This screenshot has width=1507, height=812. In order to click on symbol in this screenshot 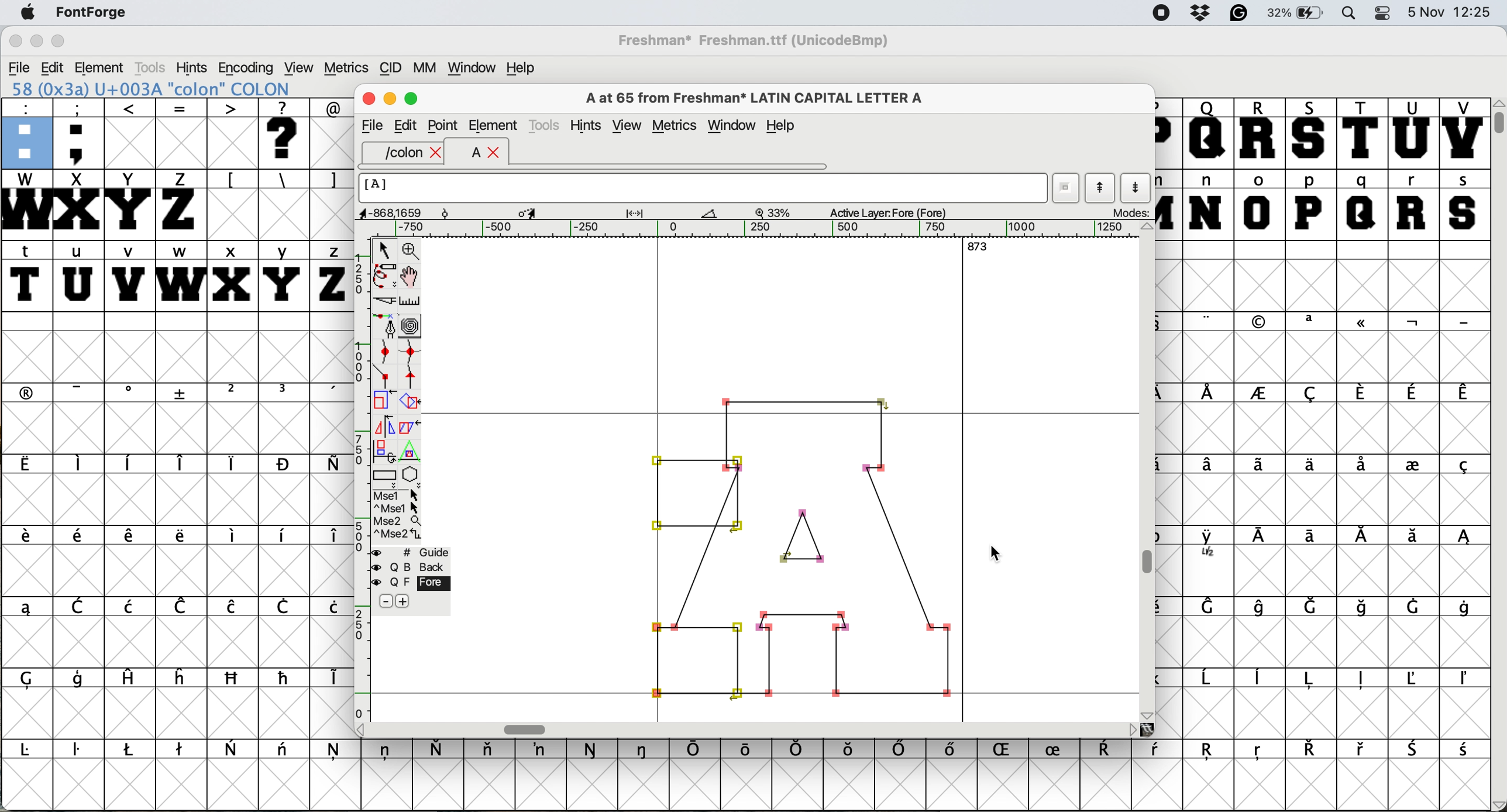, I will do `click(1315, 605)`.